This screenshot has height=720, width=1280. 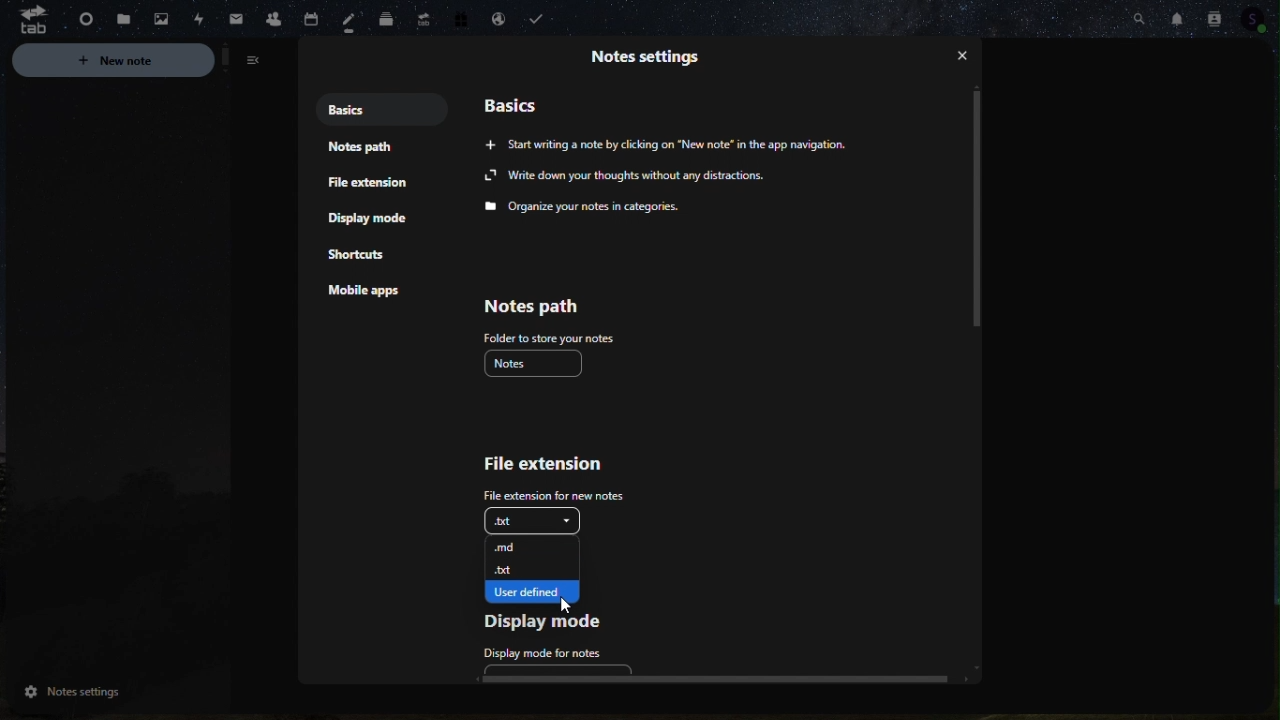 I want to click on notifications, so click(x=1175, y=16).